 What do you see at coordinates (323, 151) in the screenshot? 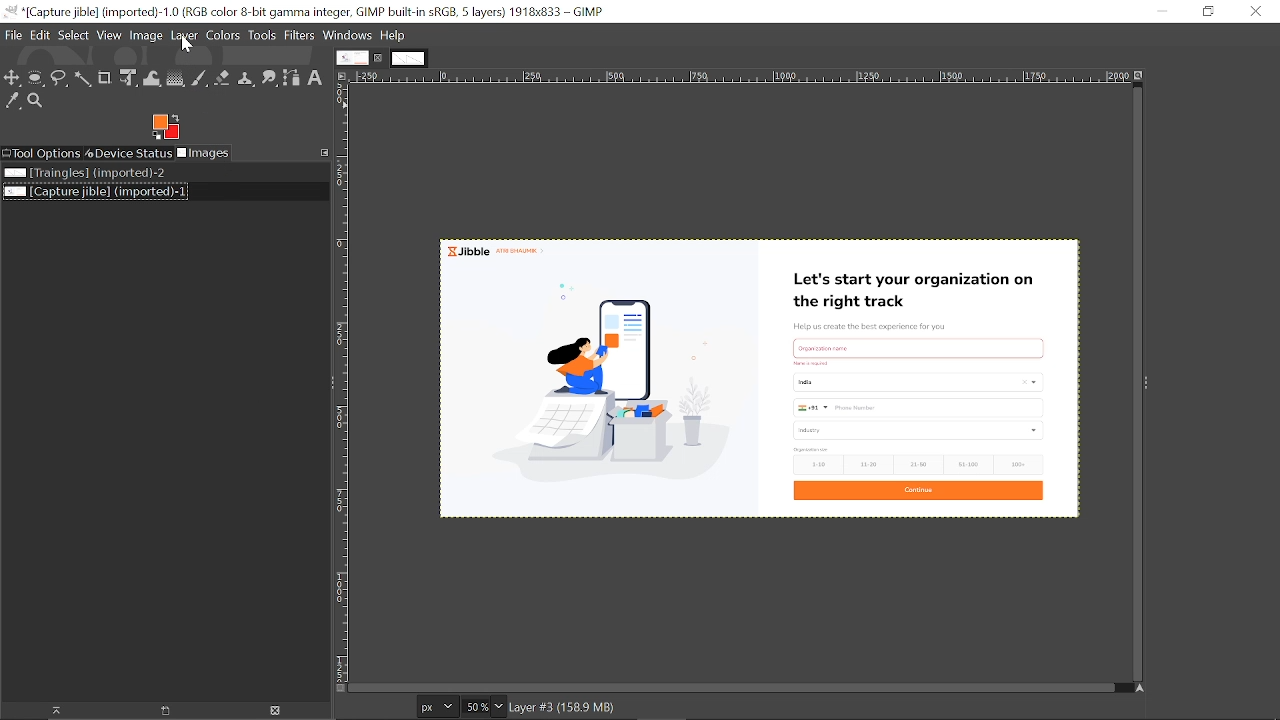
I see `Configure this tab` at bounding box center [323, 151].